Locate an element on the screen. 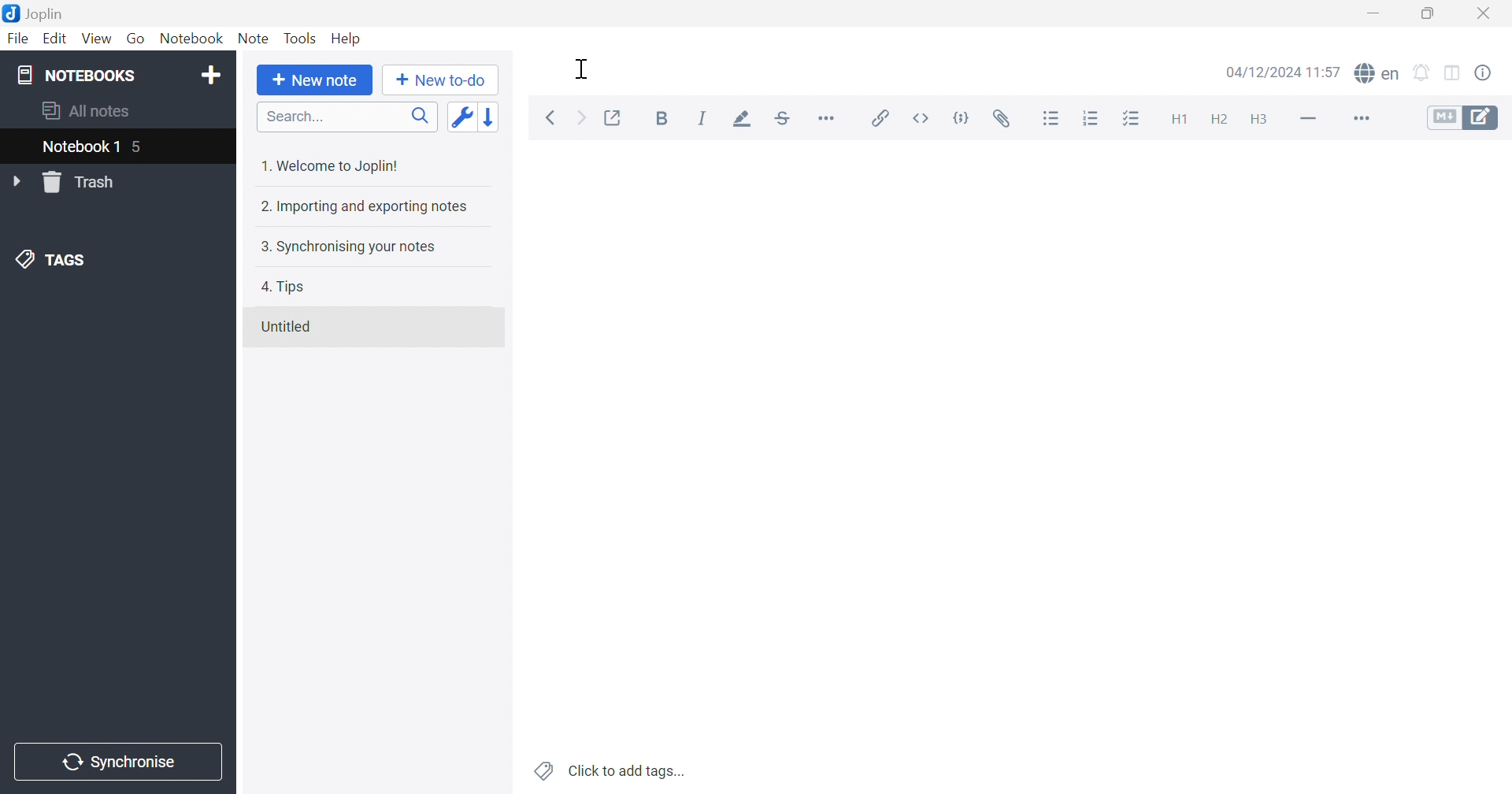  Toggle sort order field is located at coordinates (461, 117).